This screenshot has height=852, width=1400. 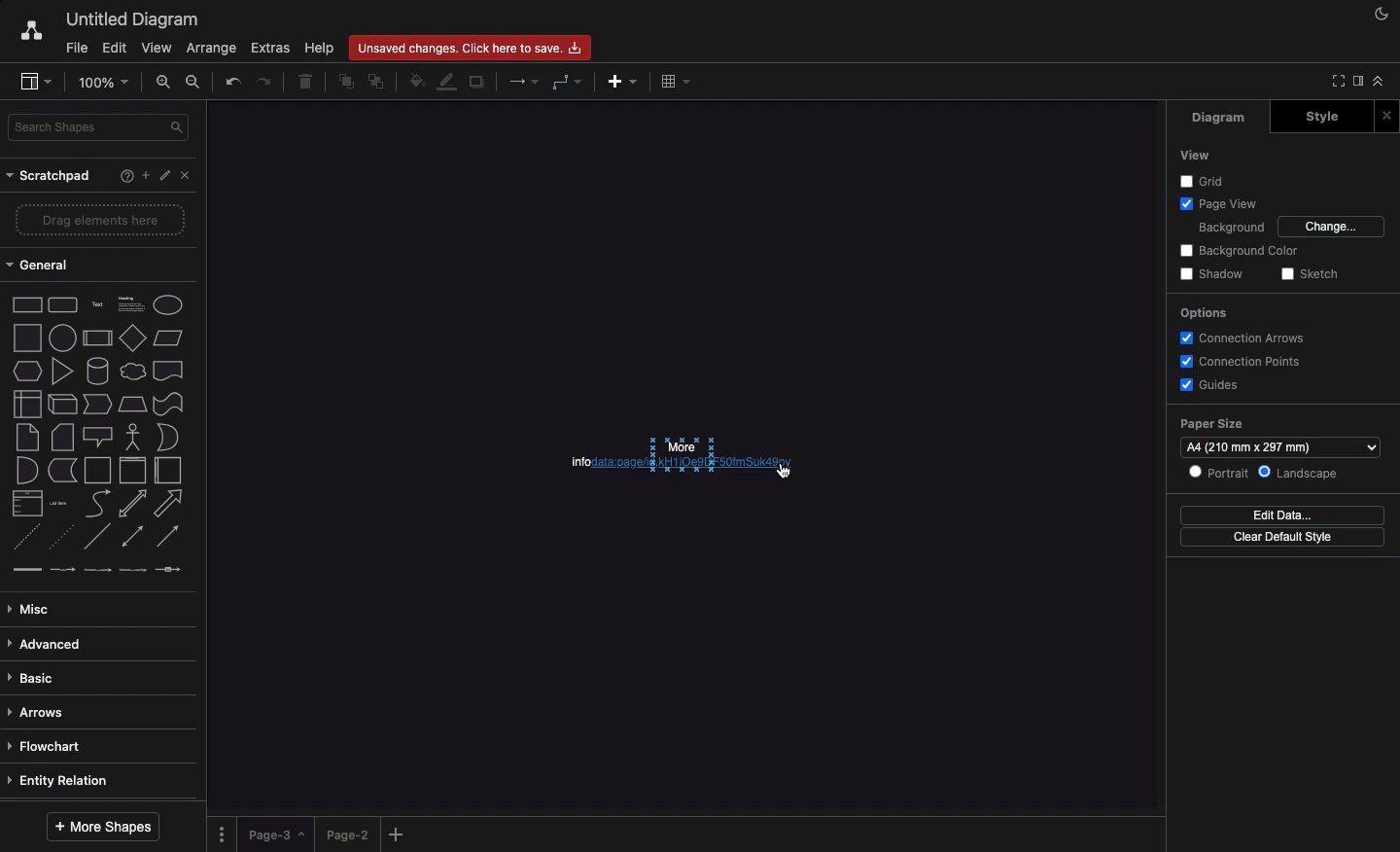 I want to click on Basic, so click(x=34, y=679).